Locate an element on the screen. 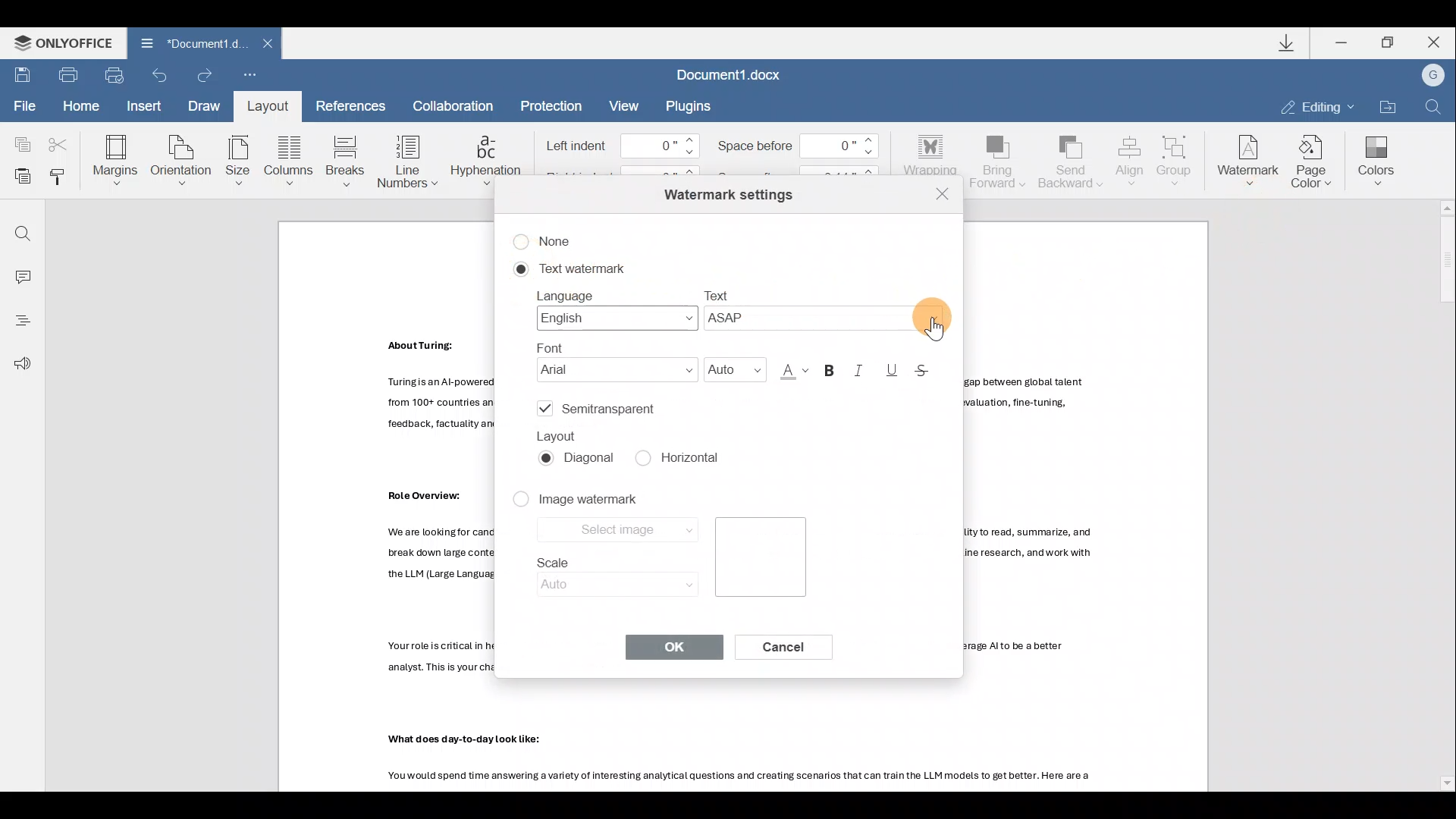  Minimize is located at coordinates (1342, 42).